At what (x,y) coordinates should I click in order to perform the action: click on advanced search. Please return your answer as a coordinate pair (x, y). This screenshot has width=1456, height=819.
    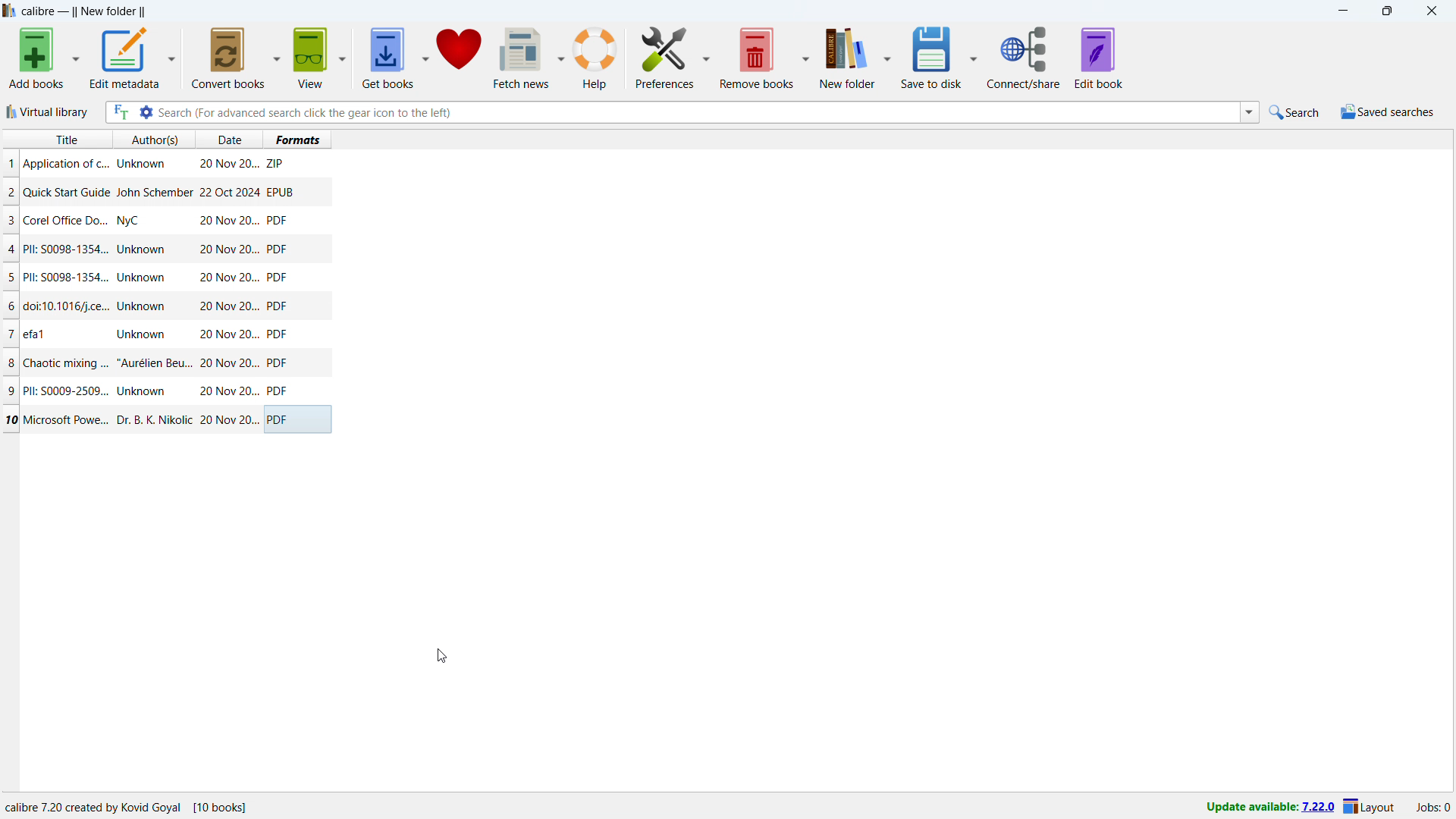
    Looking at the image, I should click on (146, 111).